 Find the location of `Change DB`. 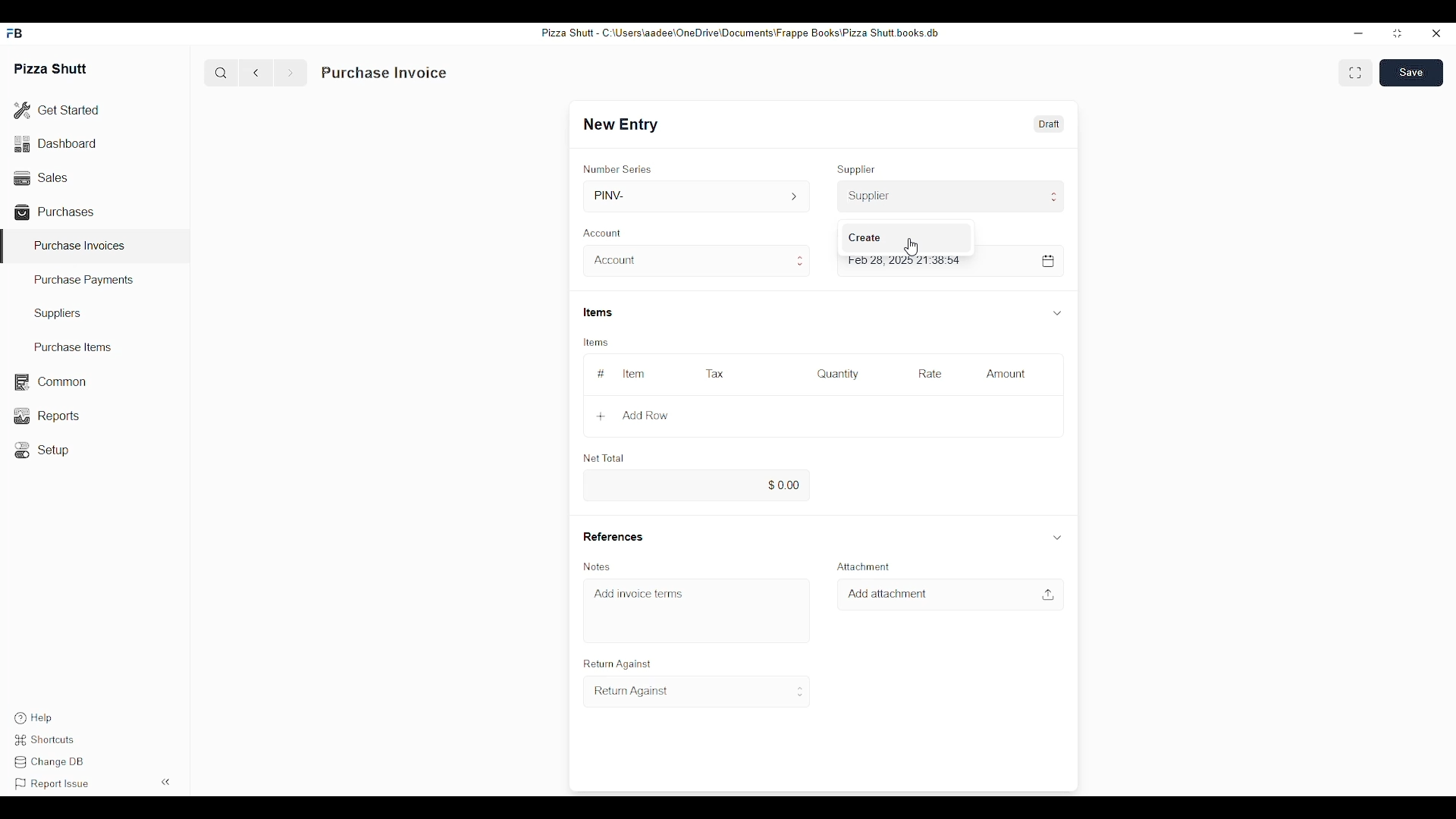

Change DB is located at coordinates (52, 764).